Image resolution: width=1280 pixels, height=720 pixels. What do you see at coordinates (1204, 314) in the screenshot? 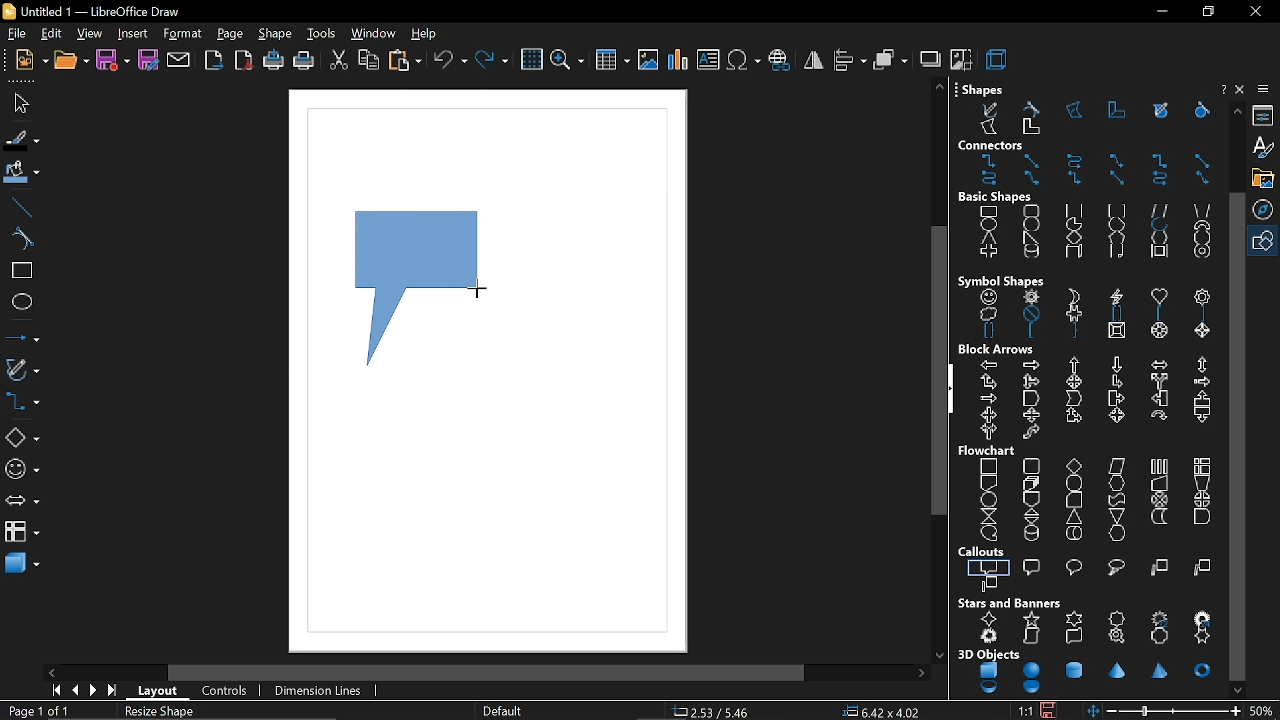
I see `right bracket` at bounding box center [1204, 314].